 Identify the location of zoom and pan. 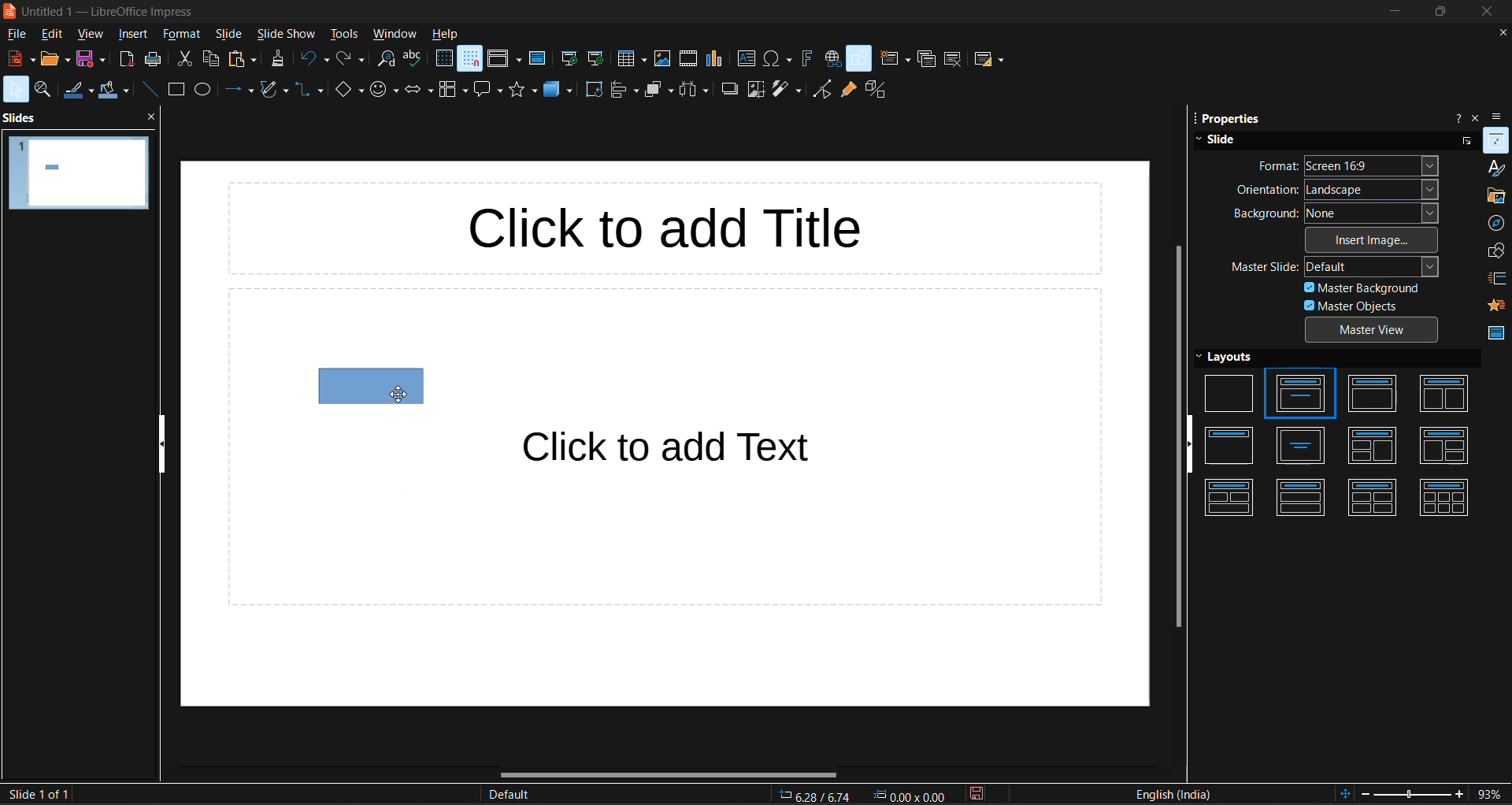
(44, 90).